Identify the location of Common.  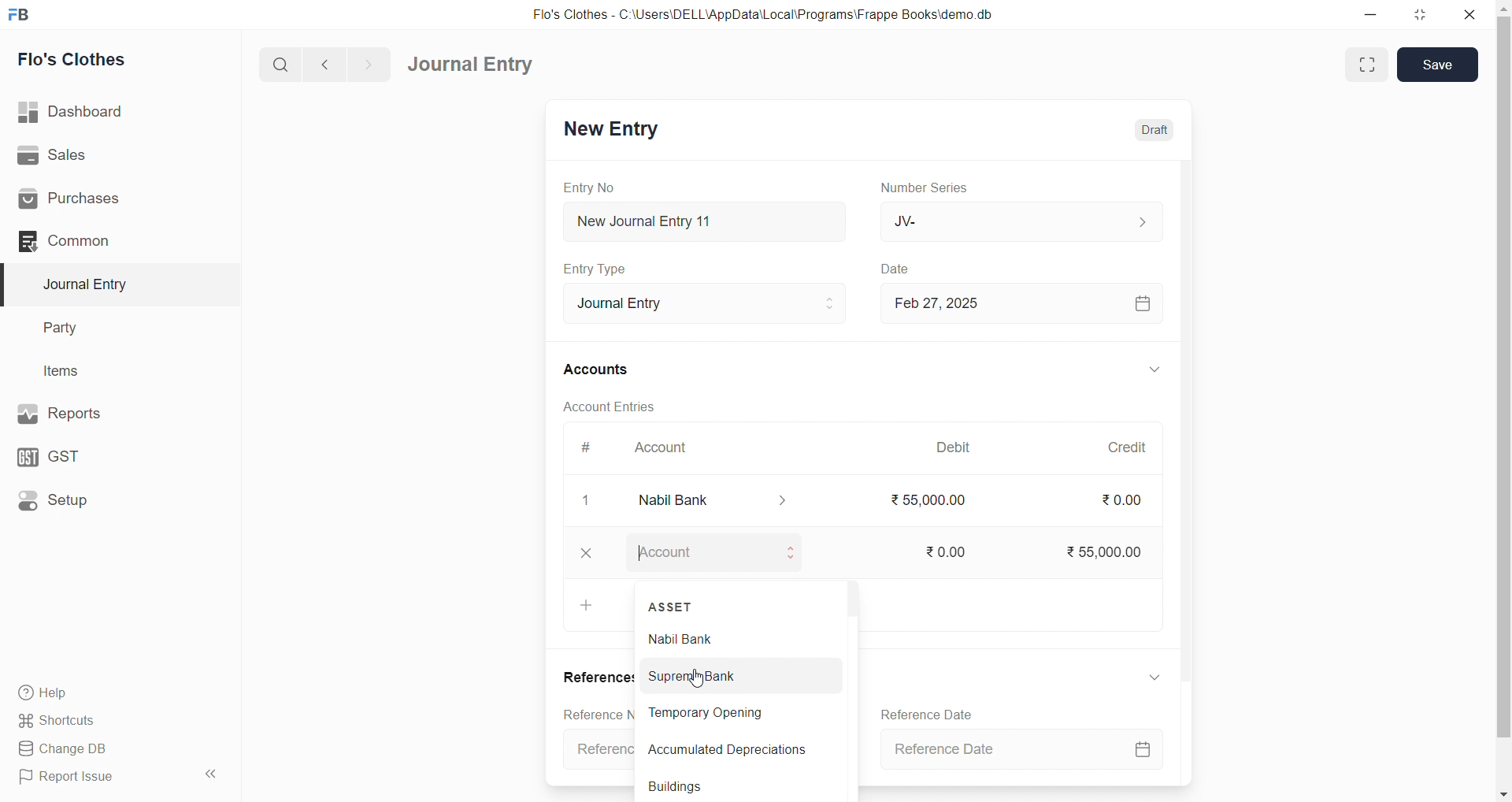
(94, 242).